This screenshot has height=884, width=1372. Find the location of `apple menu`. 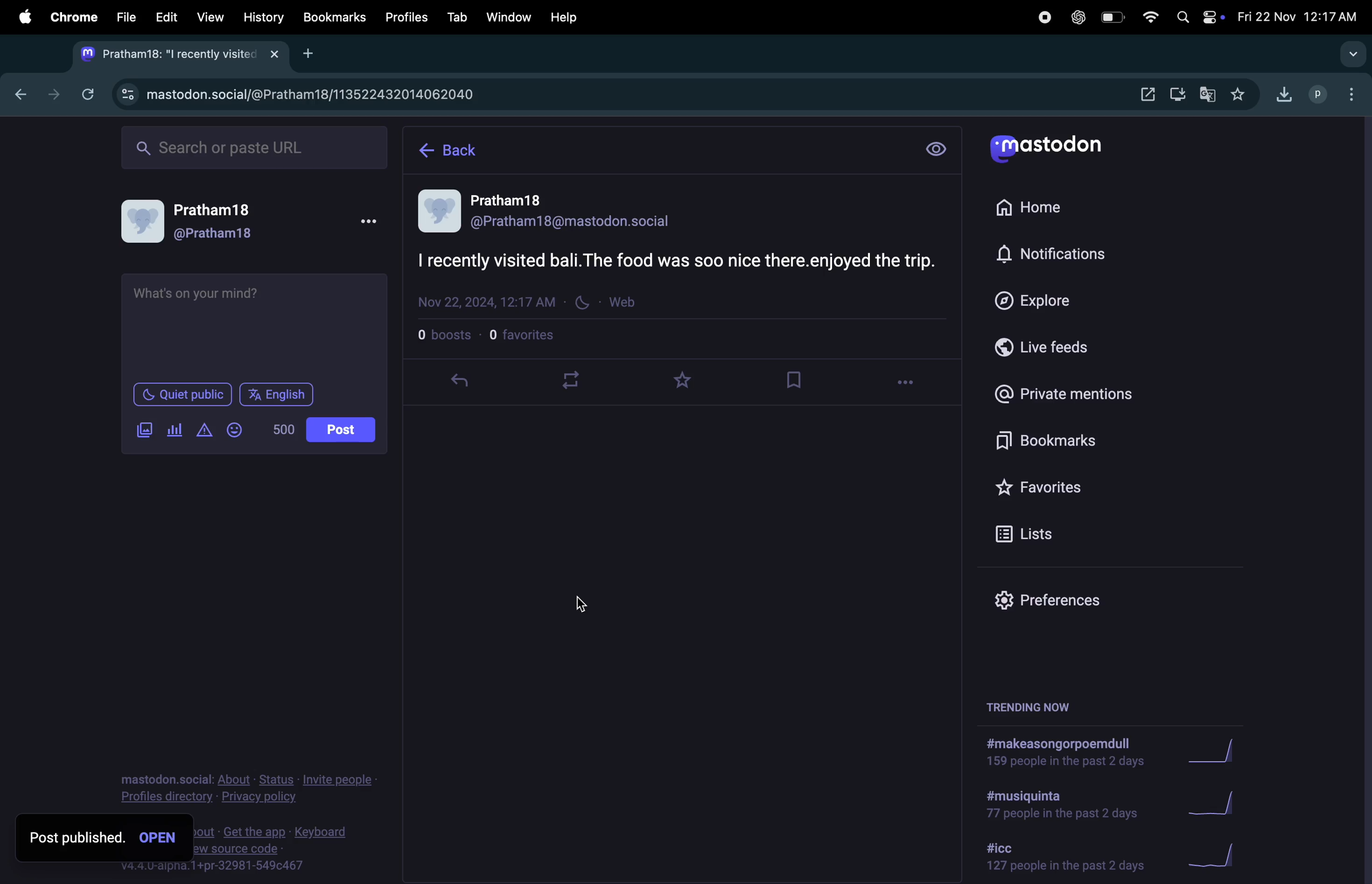

apple menu is located at coordinates (25, 15).